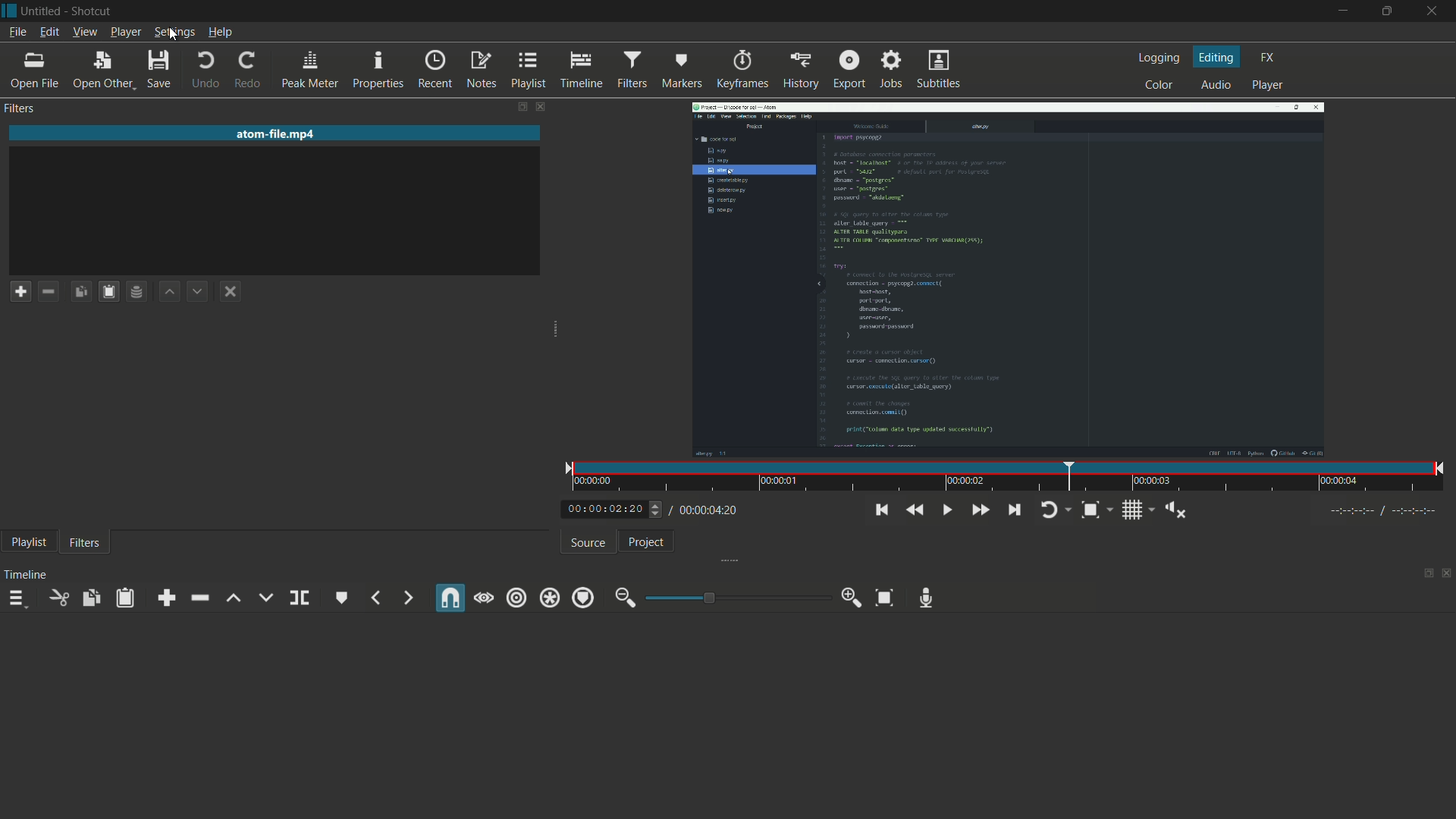  I want to click on save, so click(159, 68).